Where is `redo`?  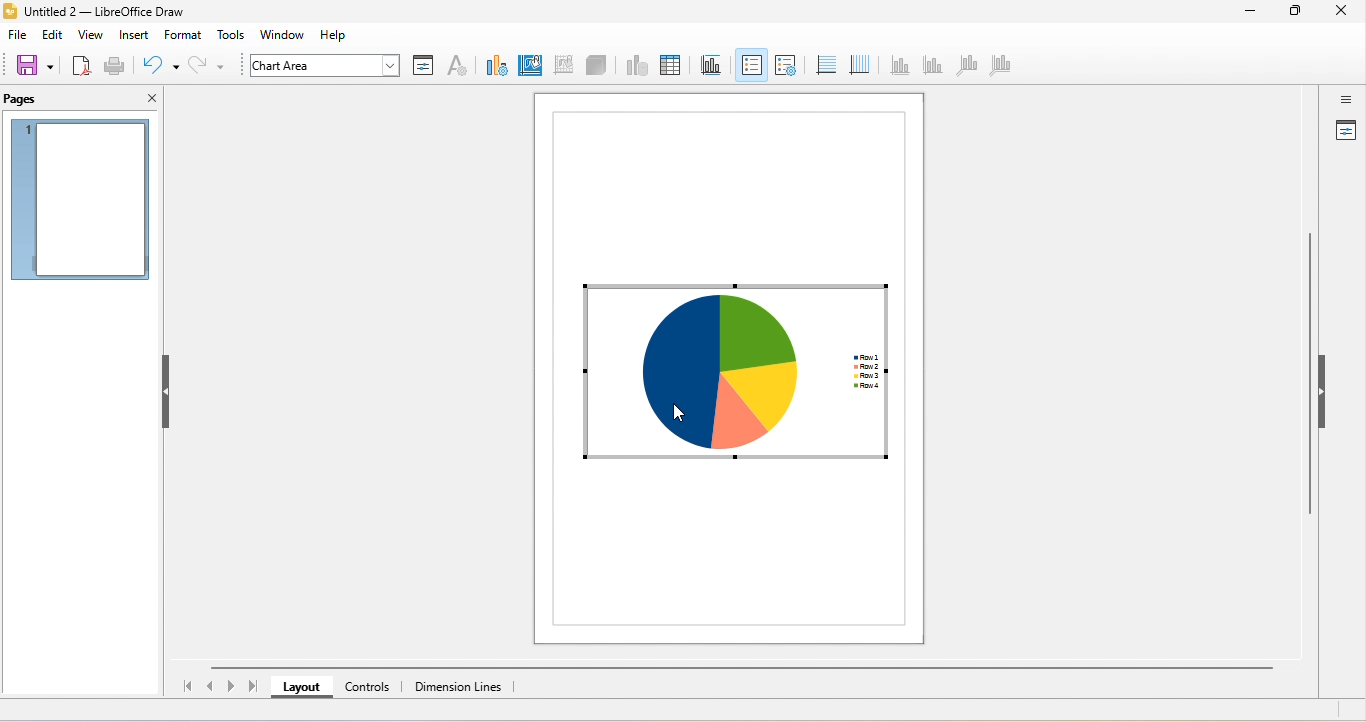
redo is located at coordinates (210, 66).